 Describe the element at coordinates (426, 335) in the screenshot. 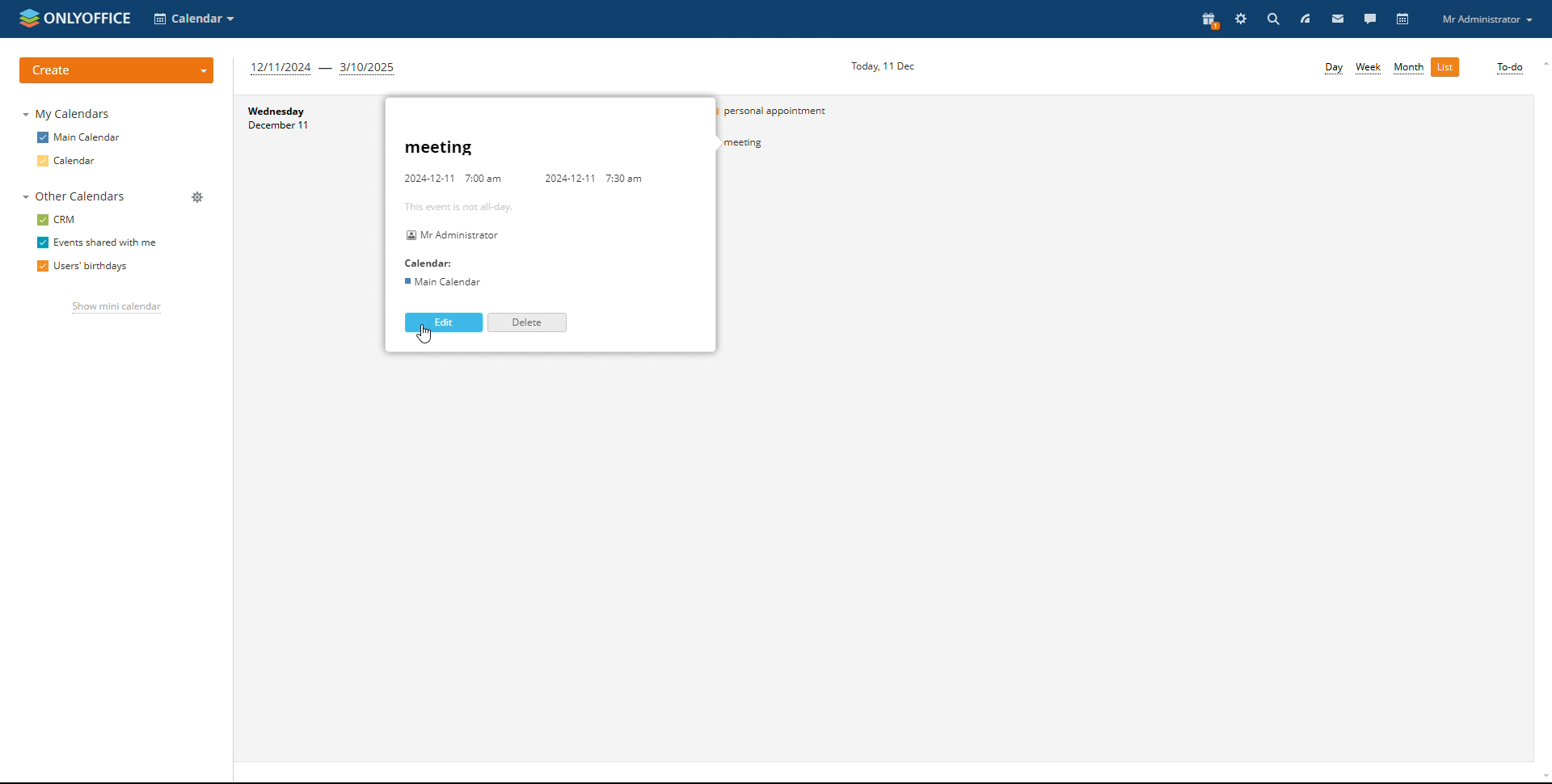

I see `cursor` at that location.